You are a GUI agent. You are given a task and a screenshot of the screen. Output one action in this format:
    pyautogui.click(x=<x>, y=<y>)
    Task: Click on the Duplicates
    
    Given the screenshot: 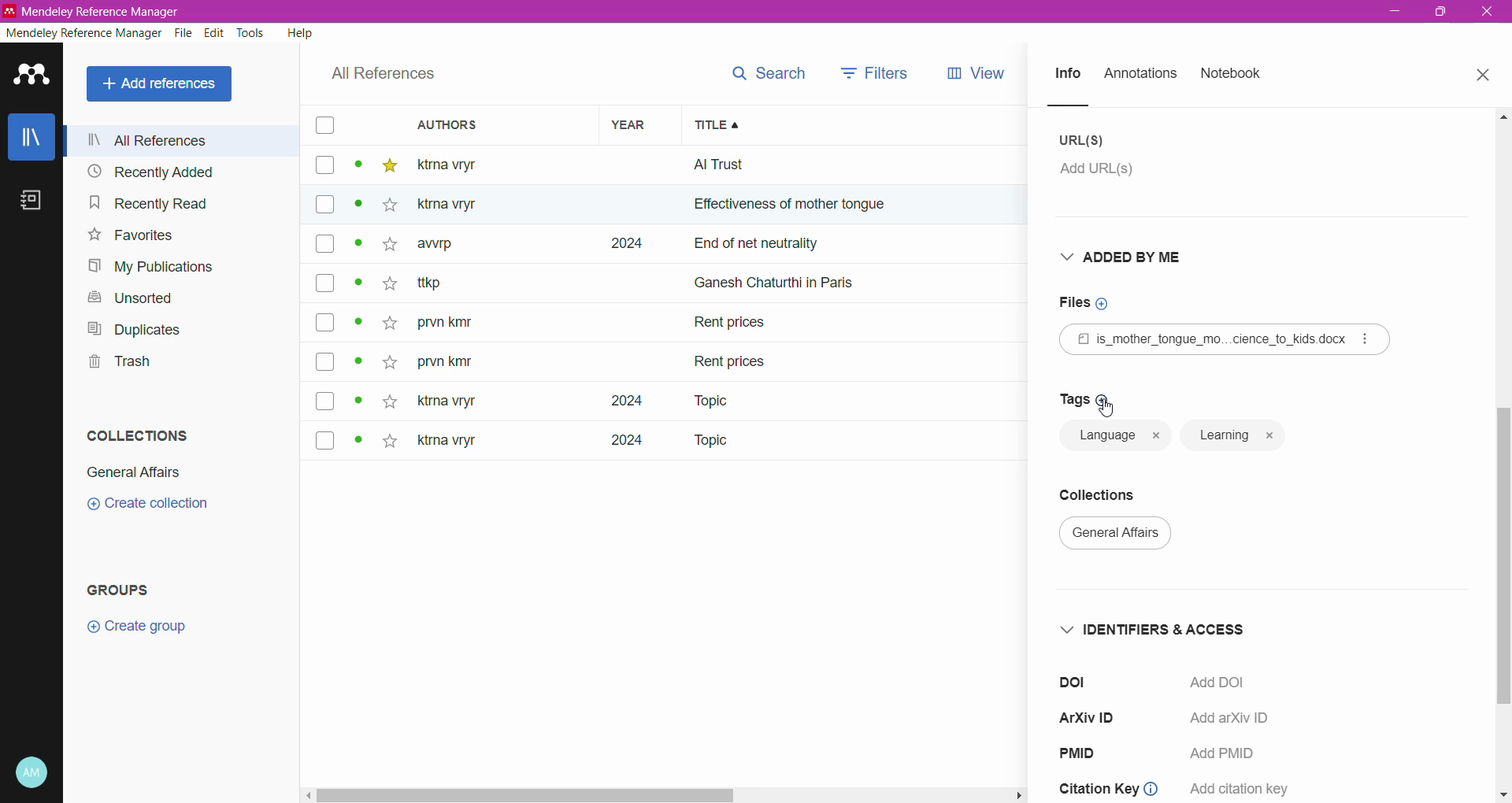 What is the action you would take?
    pyautogui.click(x=135, y=329)
    